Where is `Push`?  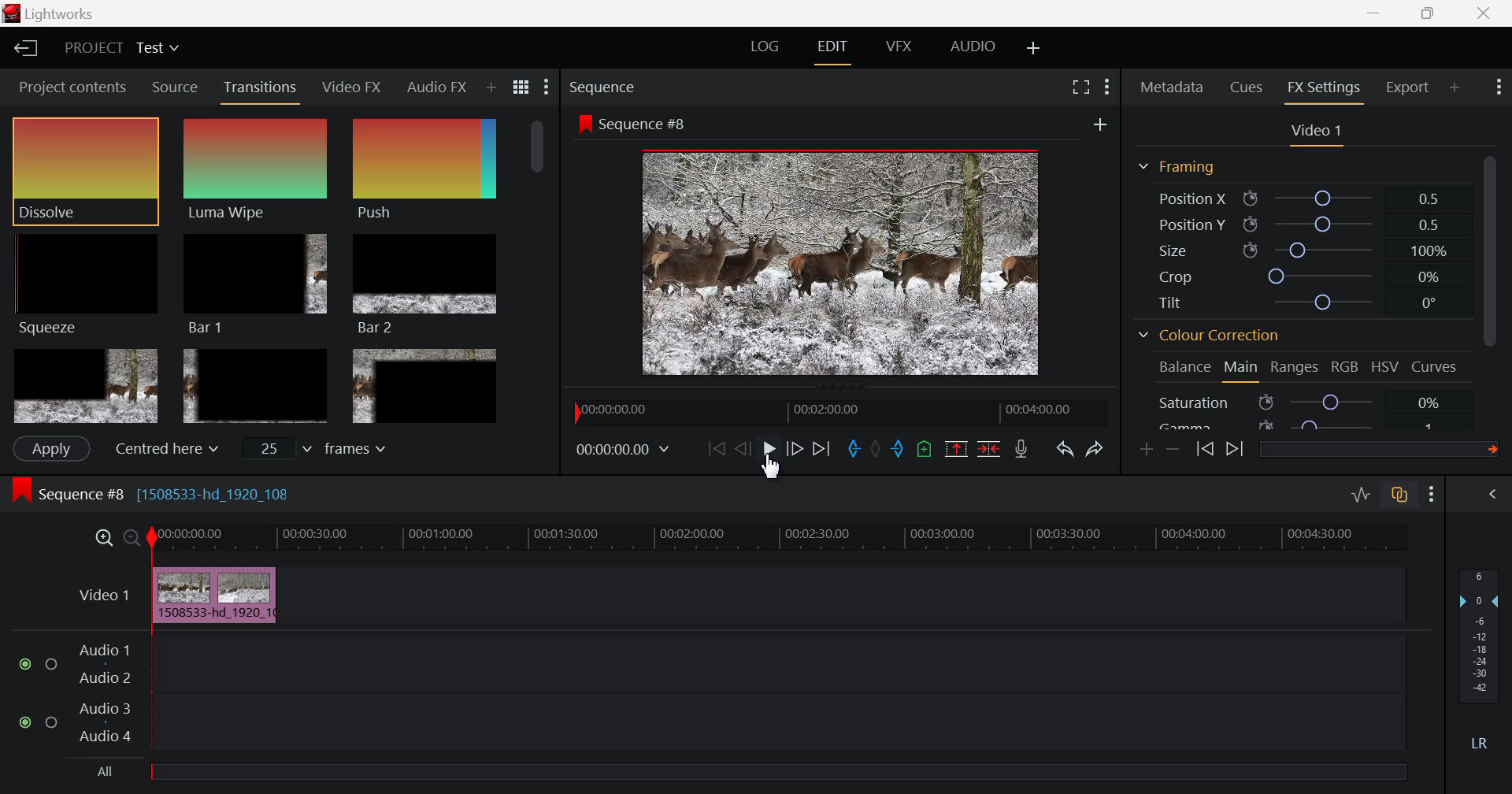
Push is located at coordinates (424, 169).